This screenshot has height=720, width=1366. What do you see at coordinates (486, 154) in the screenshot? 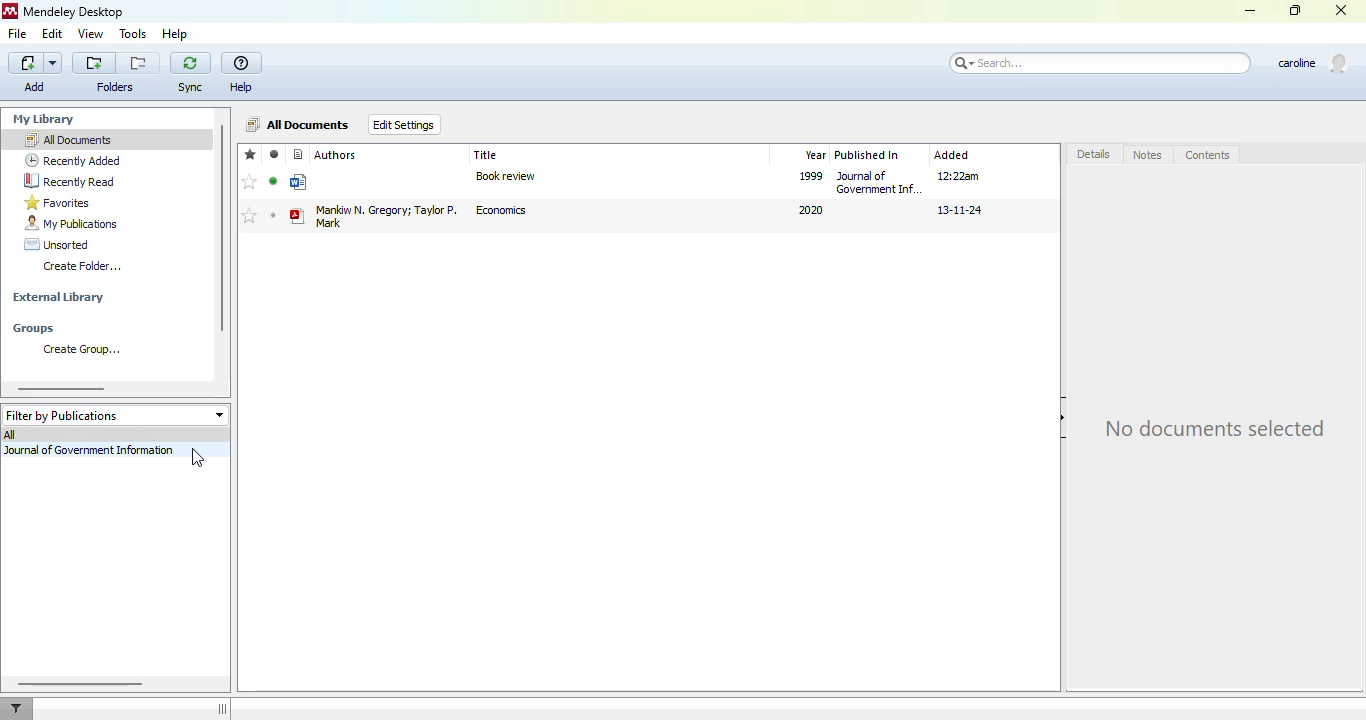
I see `title` at bounding box center [486, 154].